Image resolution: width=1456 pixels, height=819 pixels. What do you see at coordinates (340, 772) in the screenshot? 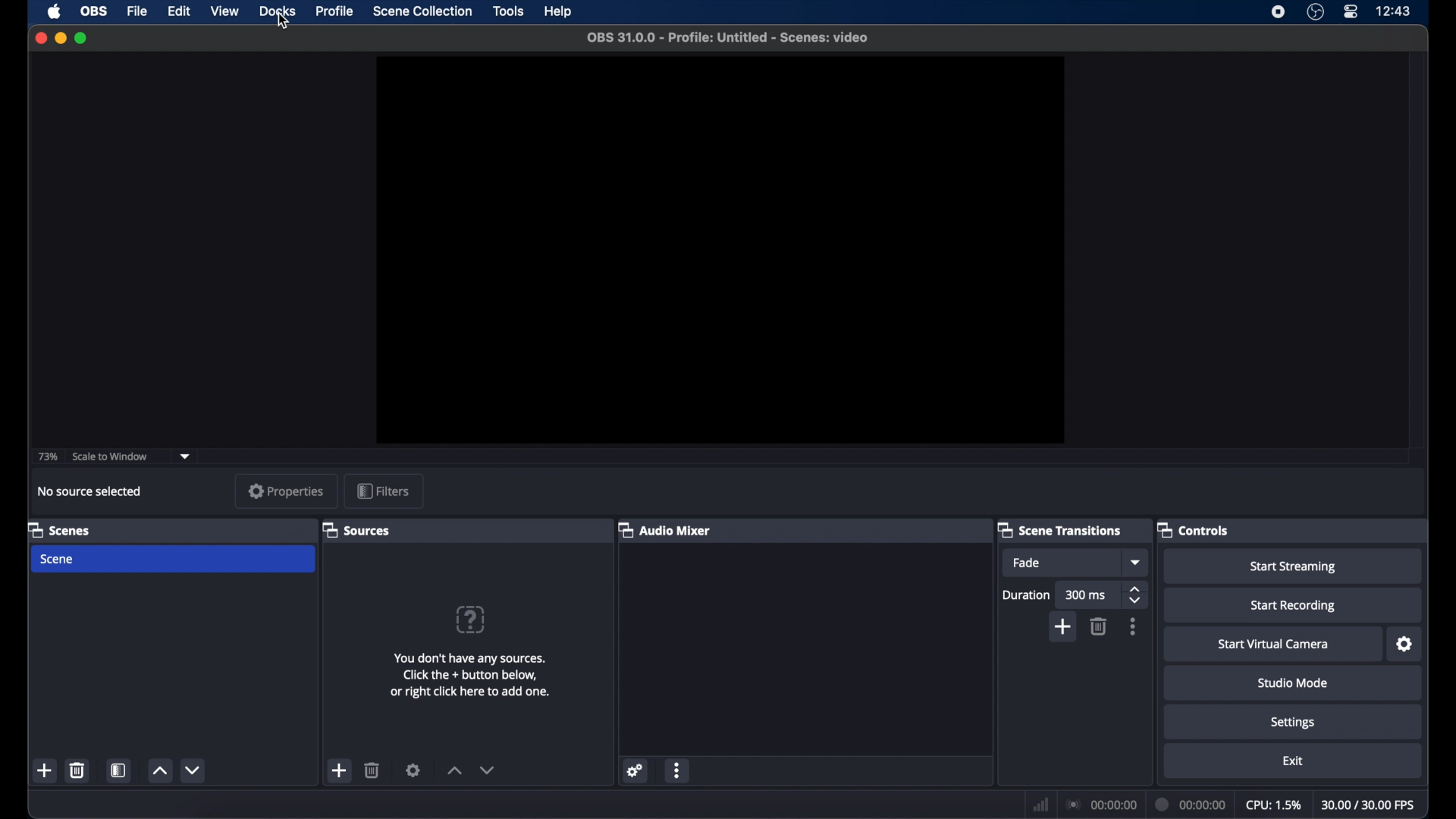
I see `add` at bounding box center [340, 772].